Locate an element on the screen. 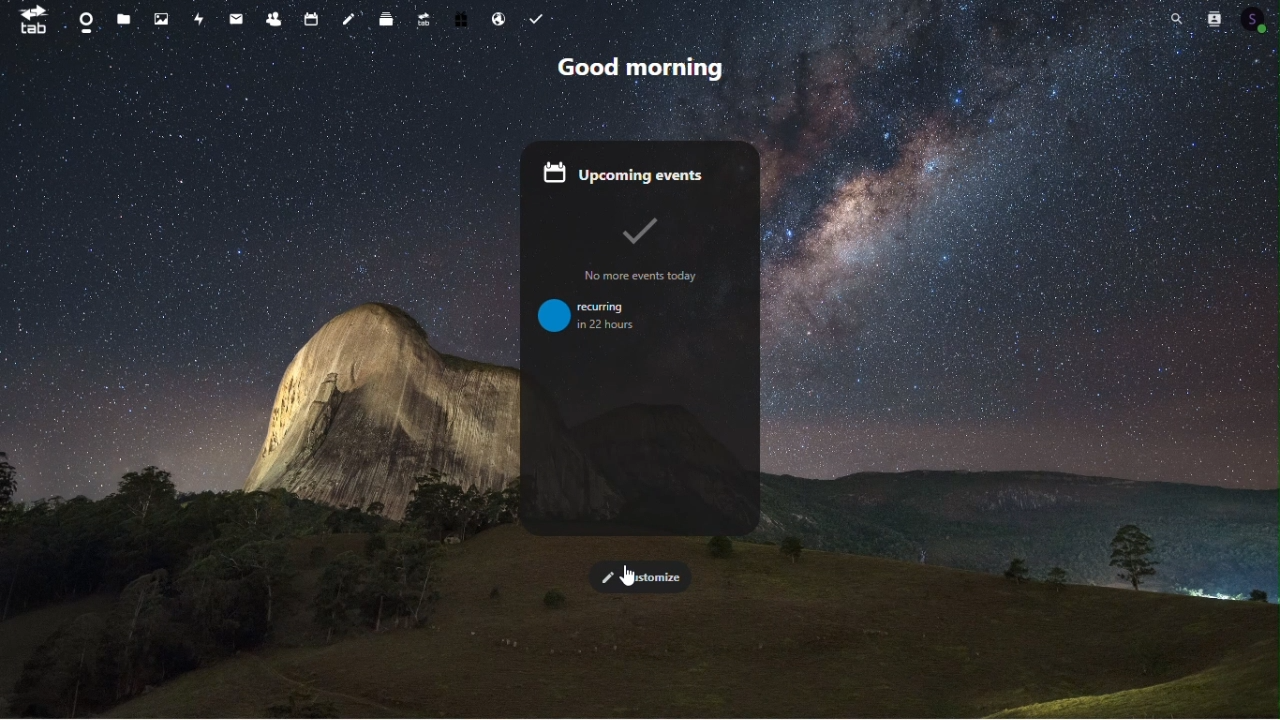 The image size is (1280, 720). Dashboard is located at coordinates (78, 17).